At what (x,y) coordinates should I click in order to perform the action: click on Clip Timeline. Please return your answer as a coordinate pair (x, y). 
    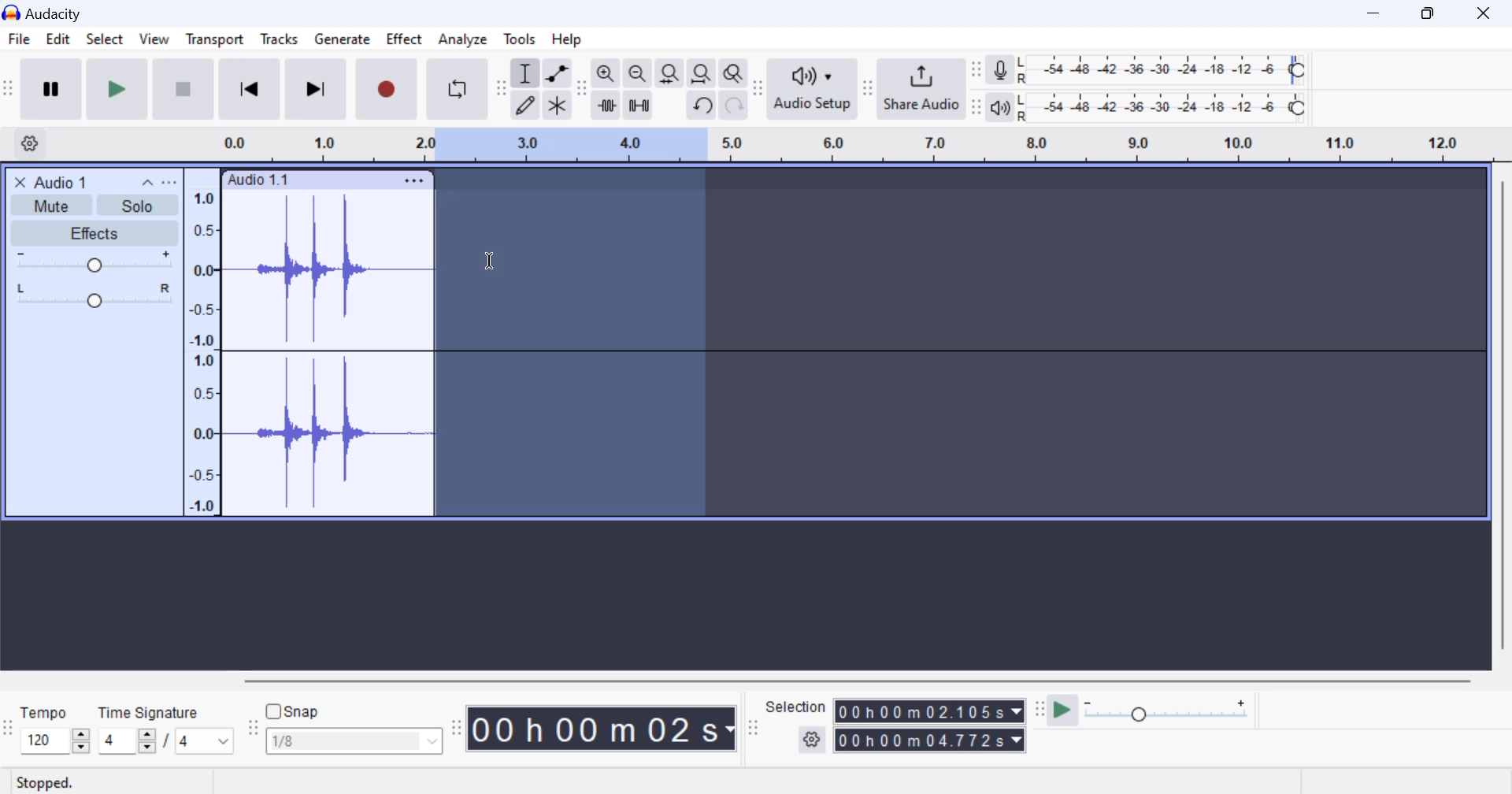
    Looking at the image, I should click on (841, 147).